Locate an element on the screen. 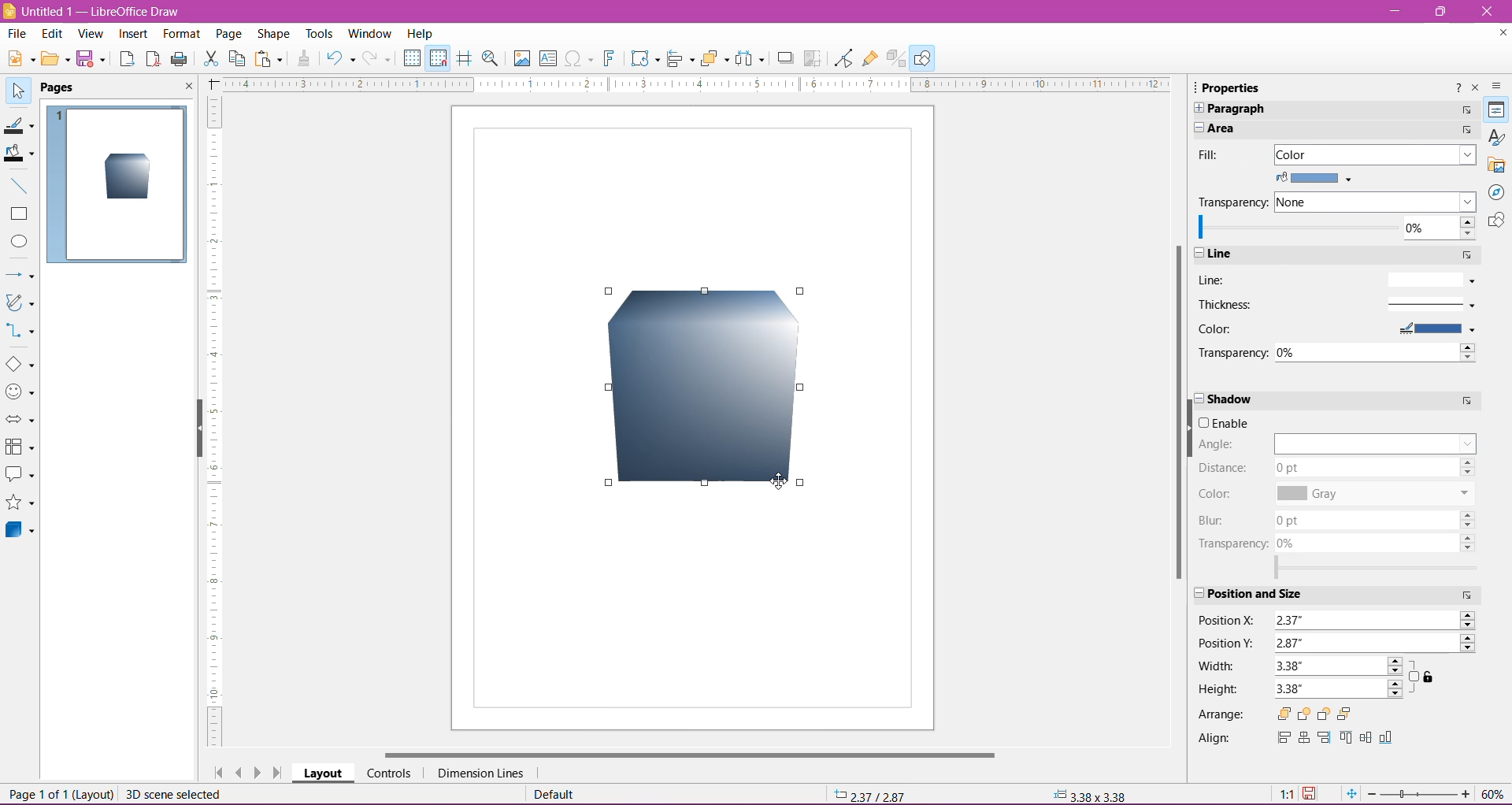 The height and width of the screenshot is (805, 1512). More Options is located at coordinates (1462, 255).